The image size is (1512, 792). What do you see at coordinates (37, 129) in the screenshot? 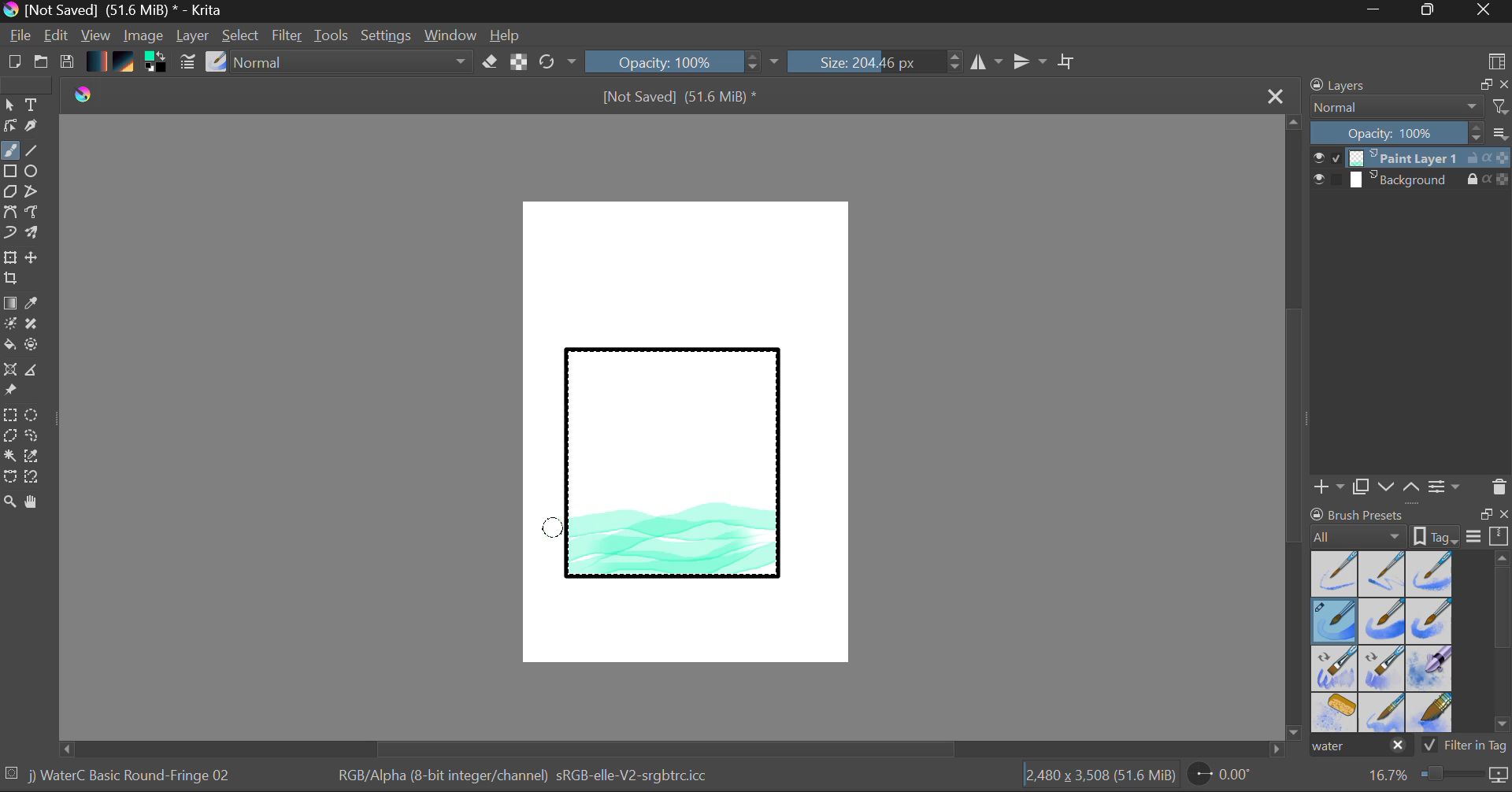
I see `Calligraphic Tool` at bounding box center [37, 129].